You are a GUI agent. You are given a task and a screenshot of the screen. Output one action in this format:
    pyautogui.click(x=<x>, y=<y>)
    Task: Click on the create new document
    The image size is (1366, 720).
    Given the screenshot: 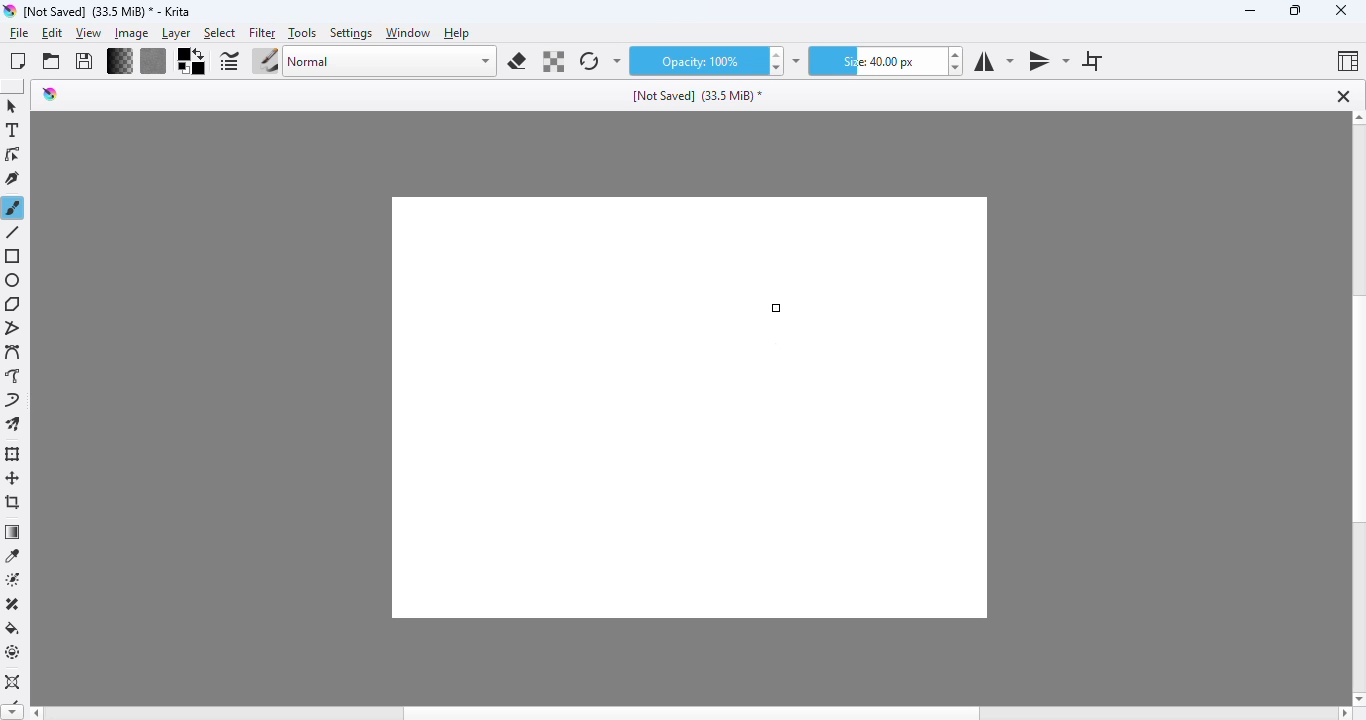 What is the action you would take?
    pyautogui.click(x=18, y=61)
    